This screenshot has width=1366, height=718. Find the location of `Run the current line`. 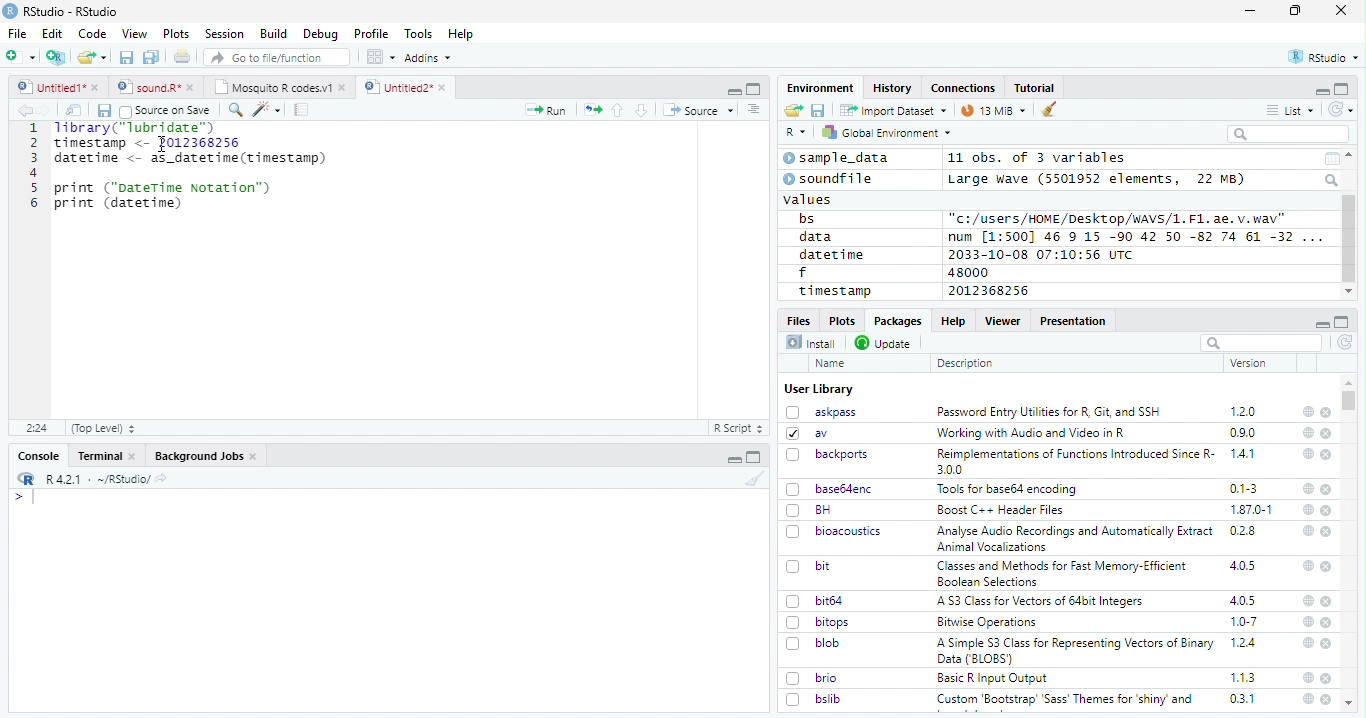

Run the current line is located at coordinates (546, 110).